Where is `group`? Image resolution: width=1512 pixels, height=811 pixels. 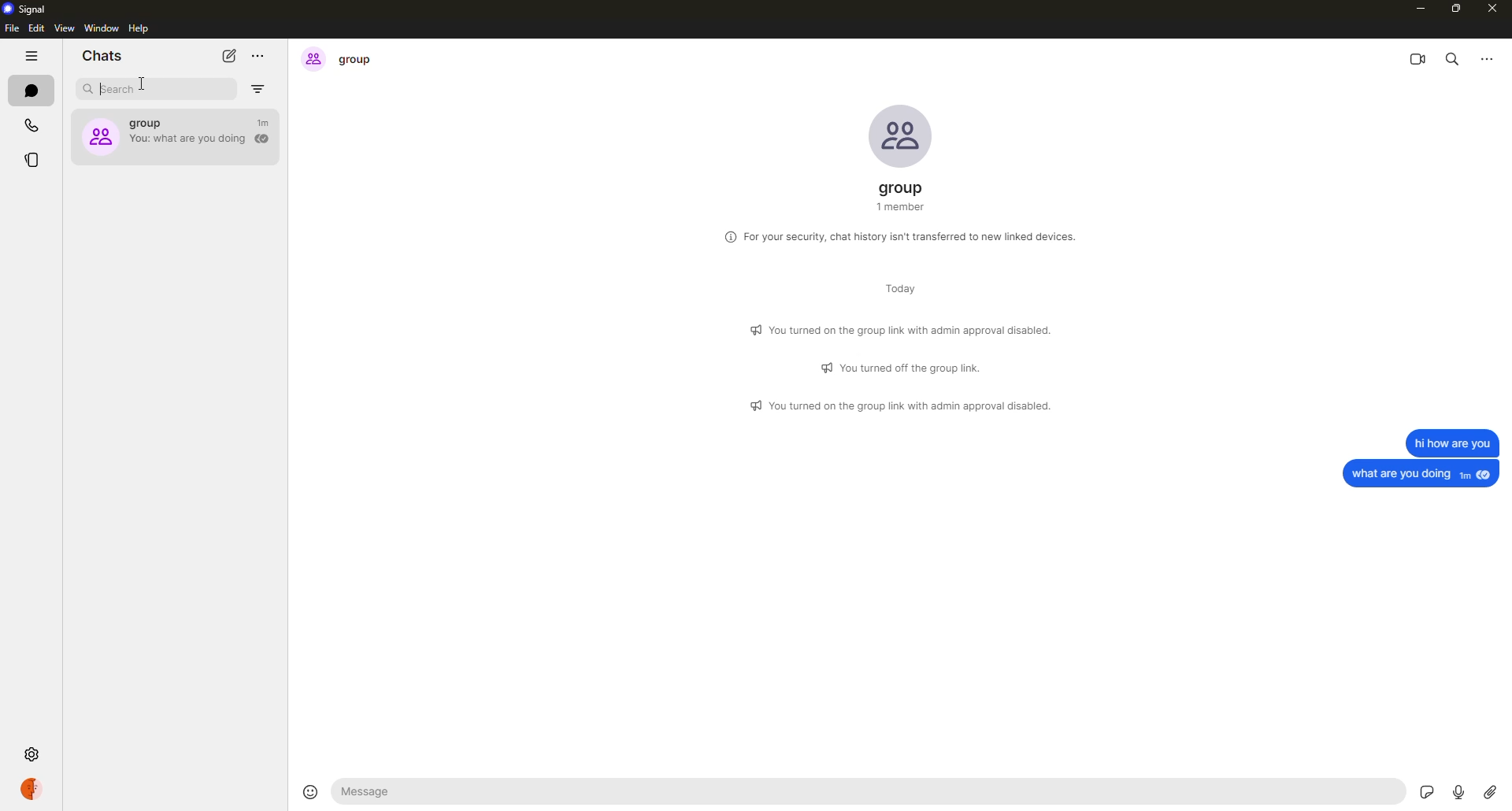
group is located at coordinates (904, 197).